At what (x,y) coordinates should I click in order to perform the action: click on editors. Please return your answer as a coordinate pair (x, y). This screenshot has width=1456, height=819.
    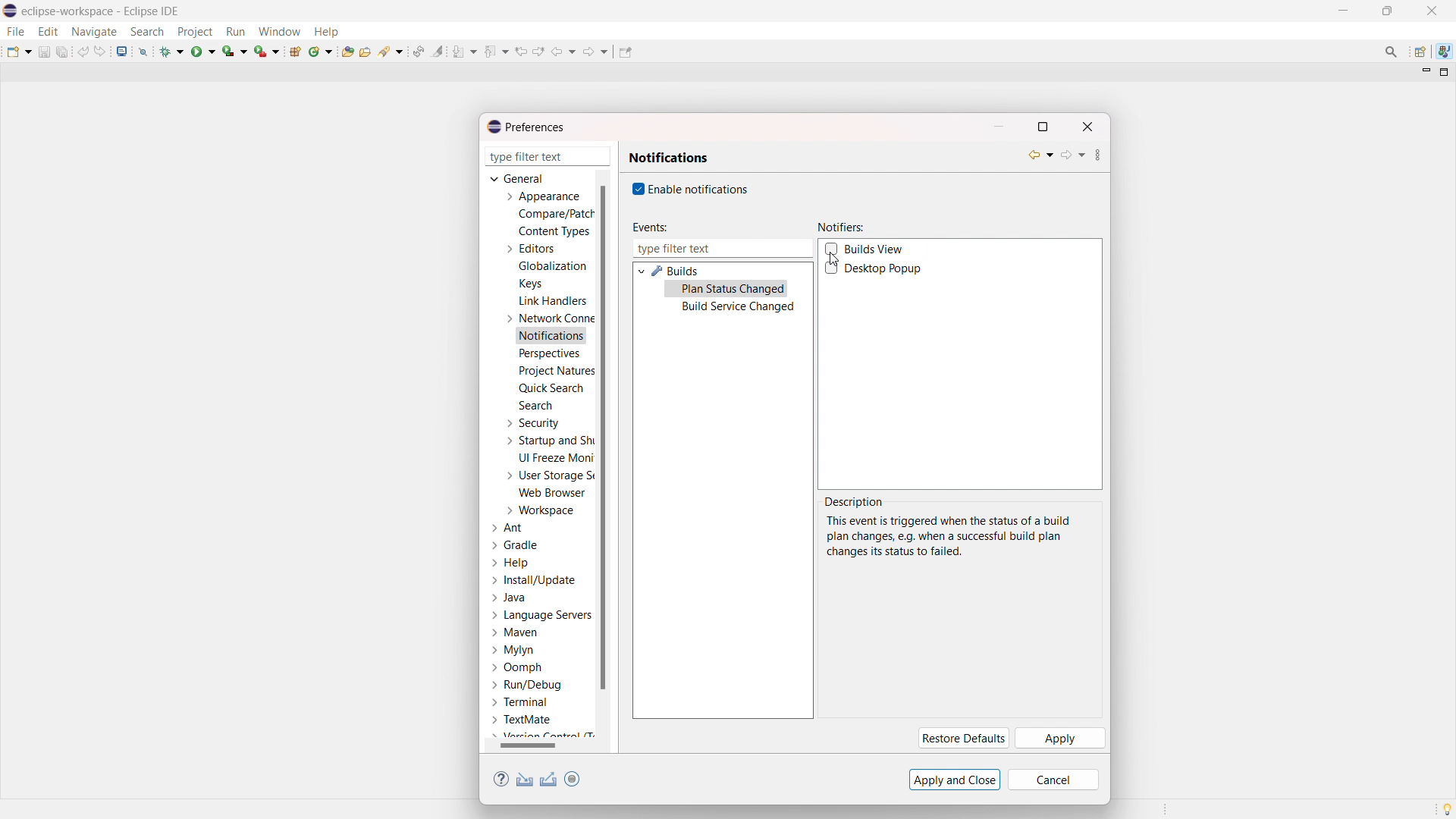
    Looking at the image, I should click on (529, 249).